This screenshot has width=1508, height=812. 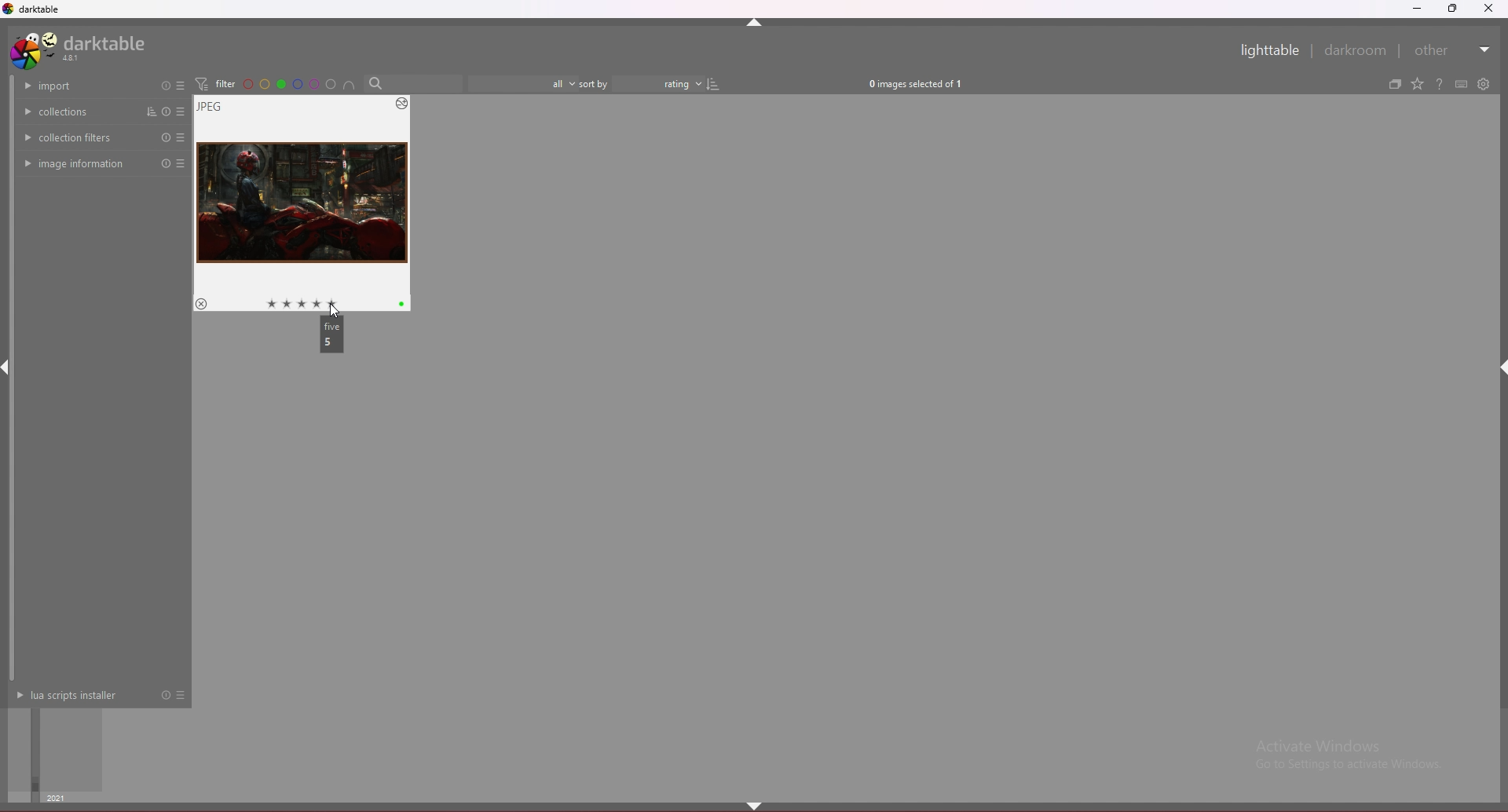 What do you see at coordinates (57, 797) in the screenshot?
I see `year` at bounding box center [57, 797].